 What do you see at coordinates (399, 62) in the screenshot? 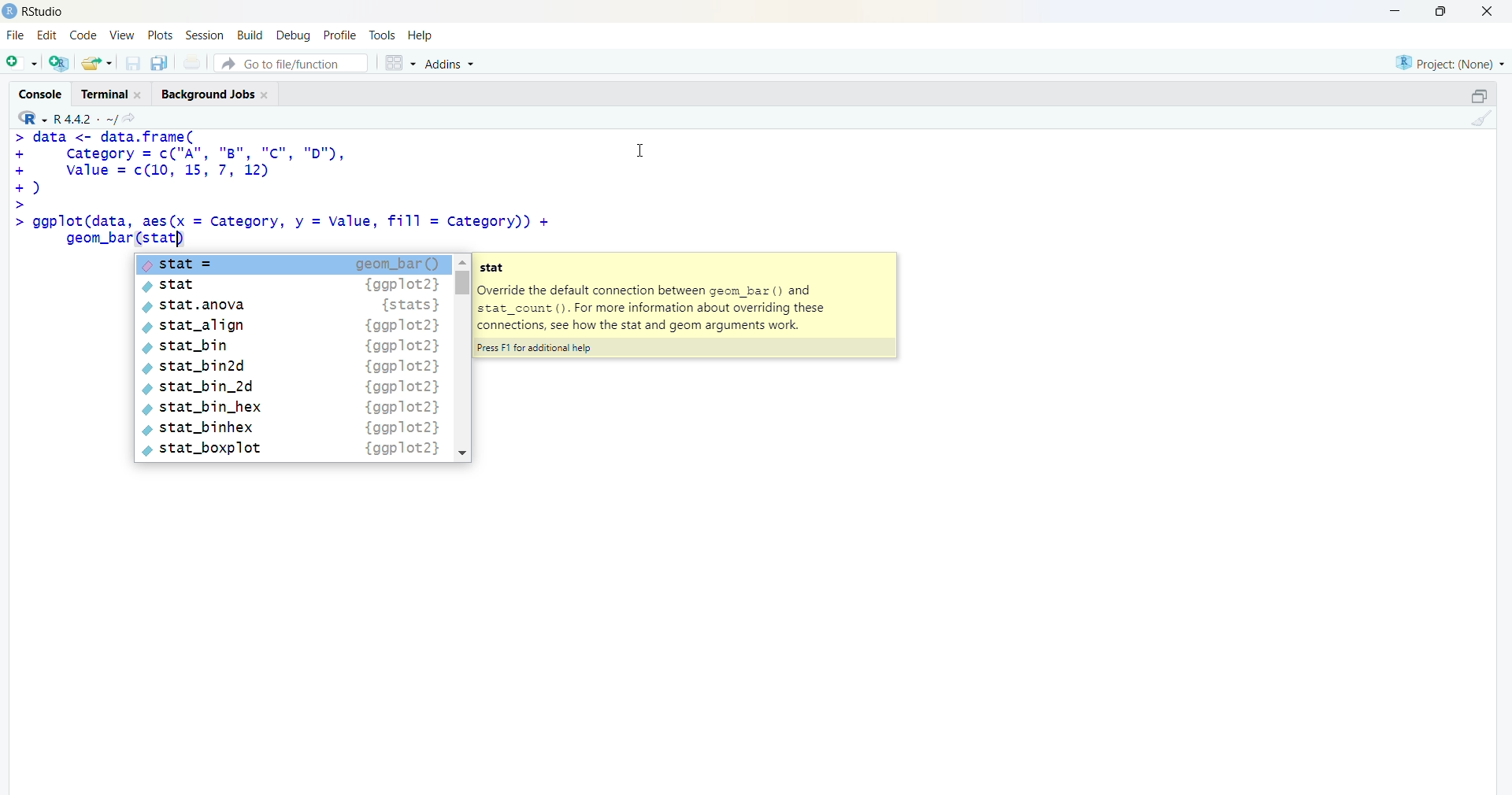
I see `grid view` at bounding box center [399, 62].